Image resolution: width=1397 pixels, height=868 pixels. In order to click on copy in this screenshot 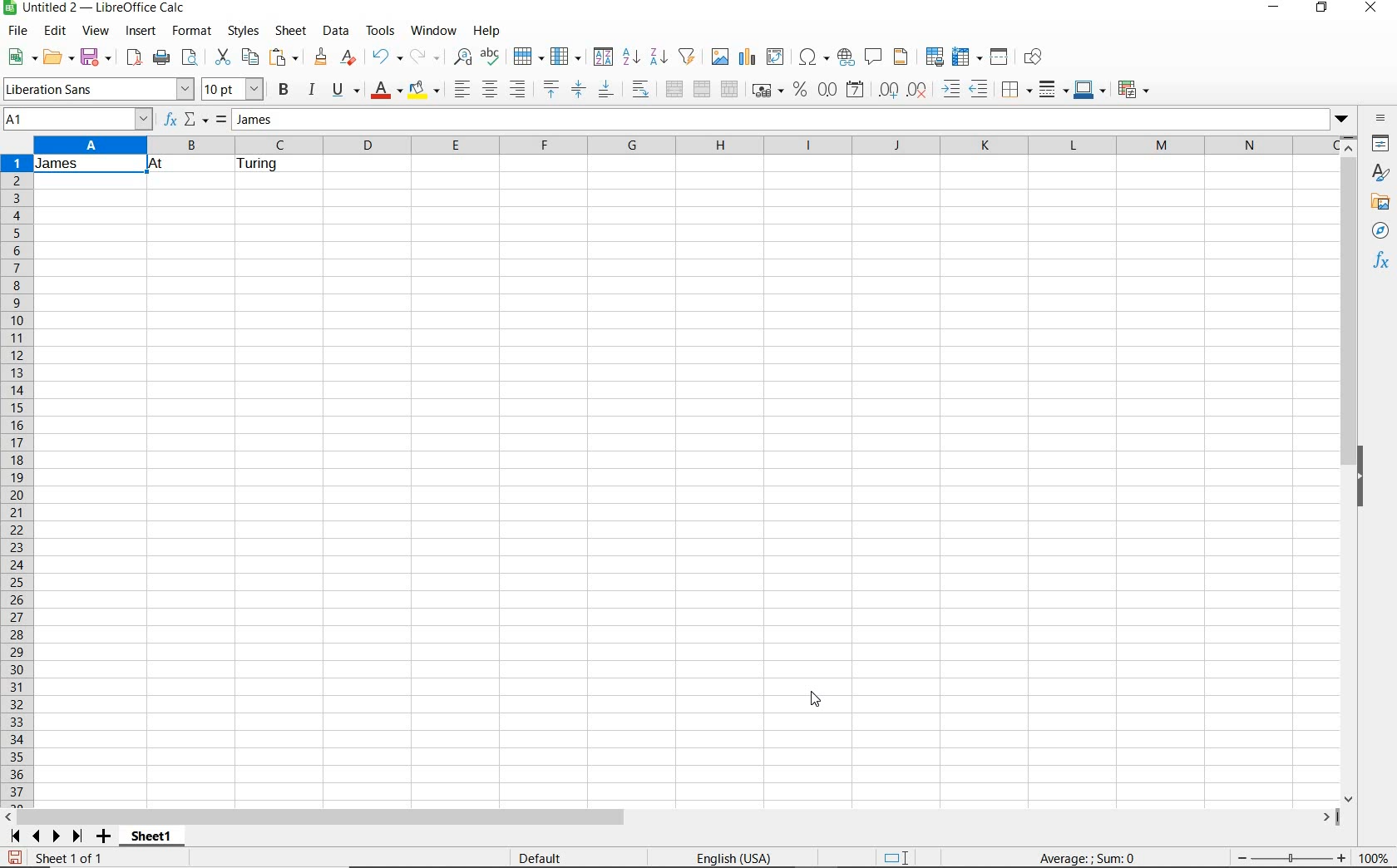, I will do `click(249, 57)`.